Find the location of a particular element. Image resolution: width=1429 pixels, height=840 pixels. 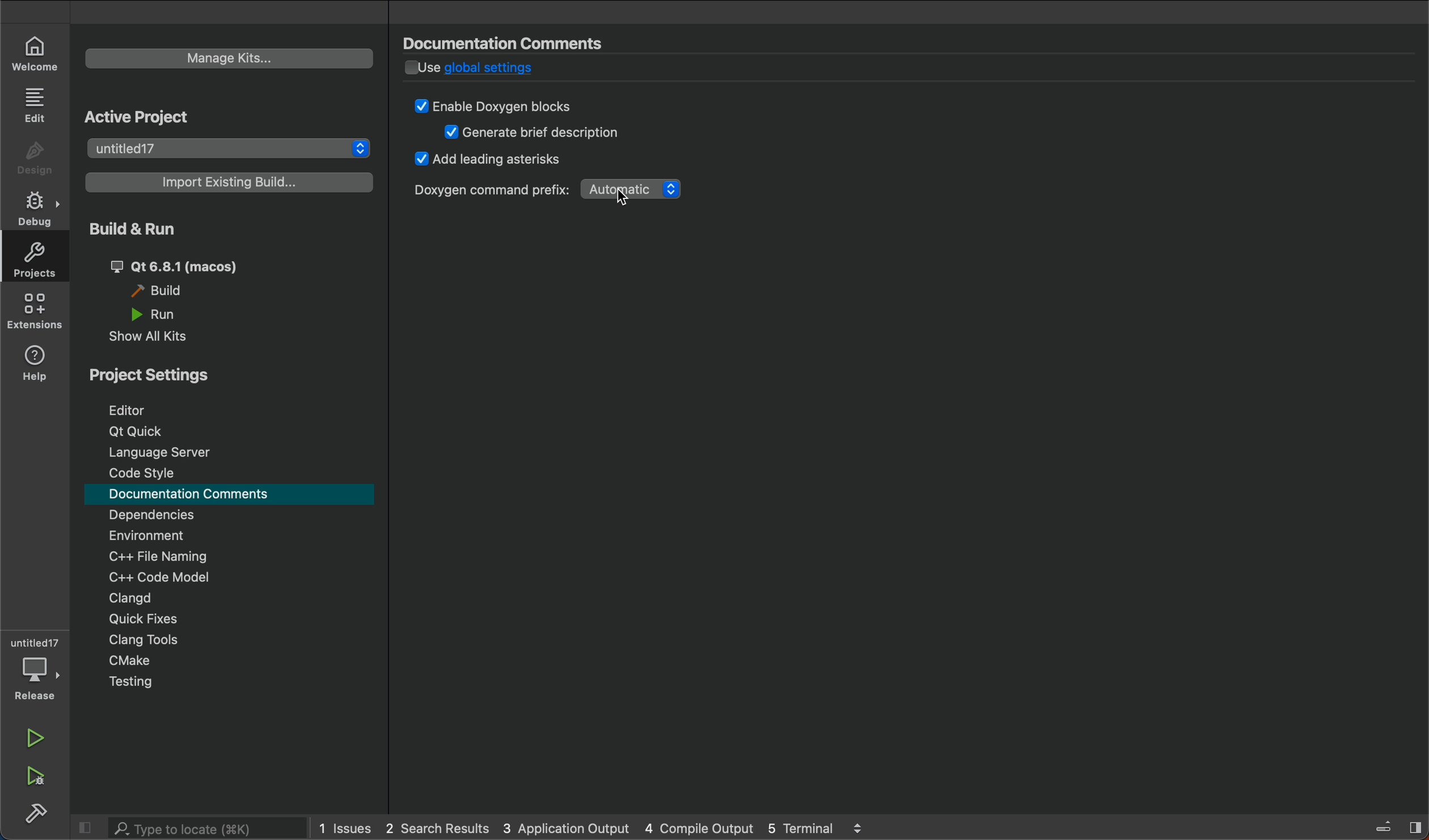

extensions is located at coordinates (37, 313).